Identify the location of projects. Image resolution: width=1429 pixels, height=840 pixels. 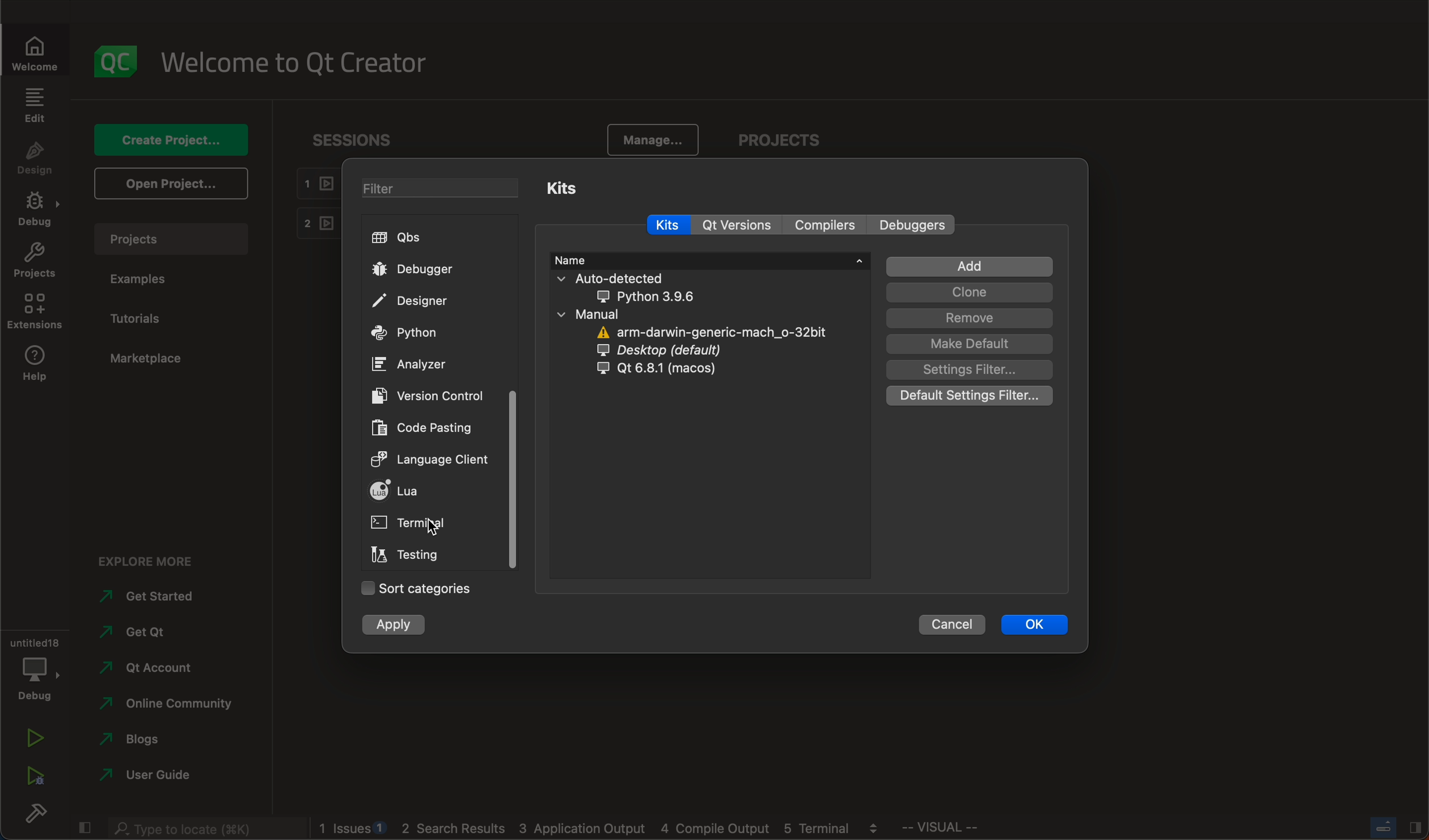
(778, 136).